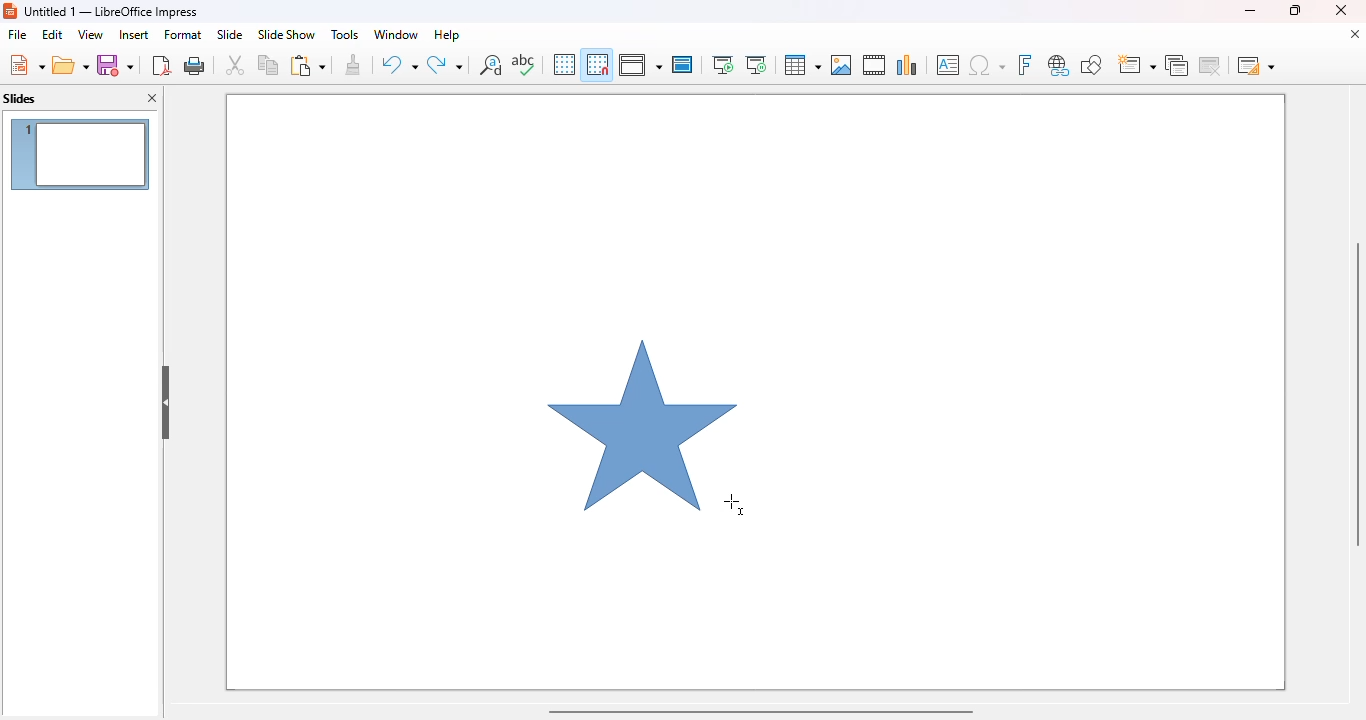 This screenshot has width=1366, height=720. I want to click on horizontal scroll bar, so click(759, 710).